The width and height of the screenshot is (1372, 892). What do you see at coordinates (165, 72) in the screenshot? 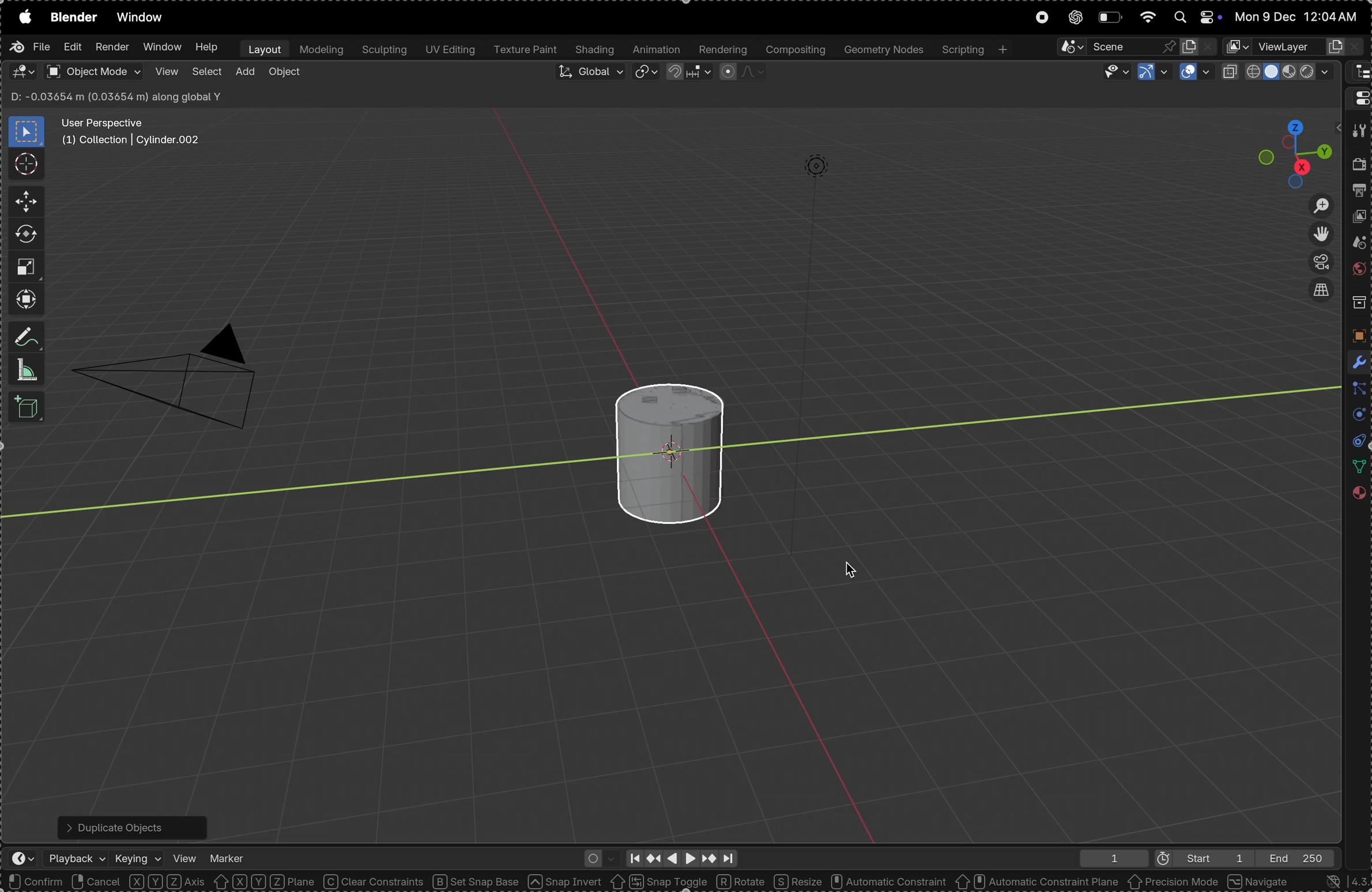
I see `view` at bounding box center [165, 72].